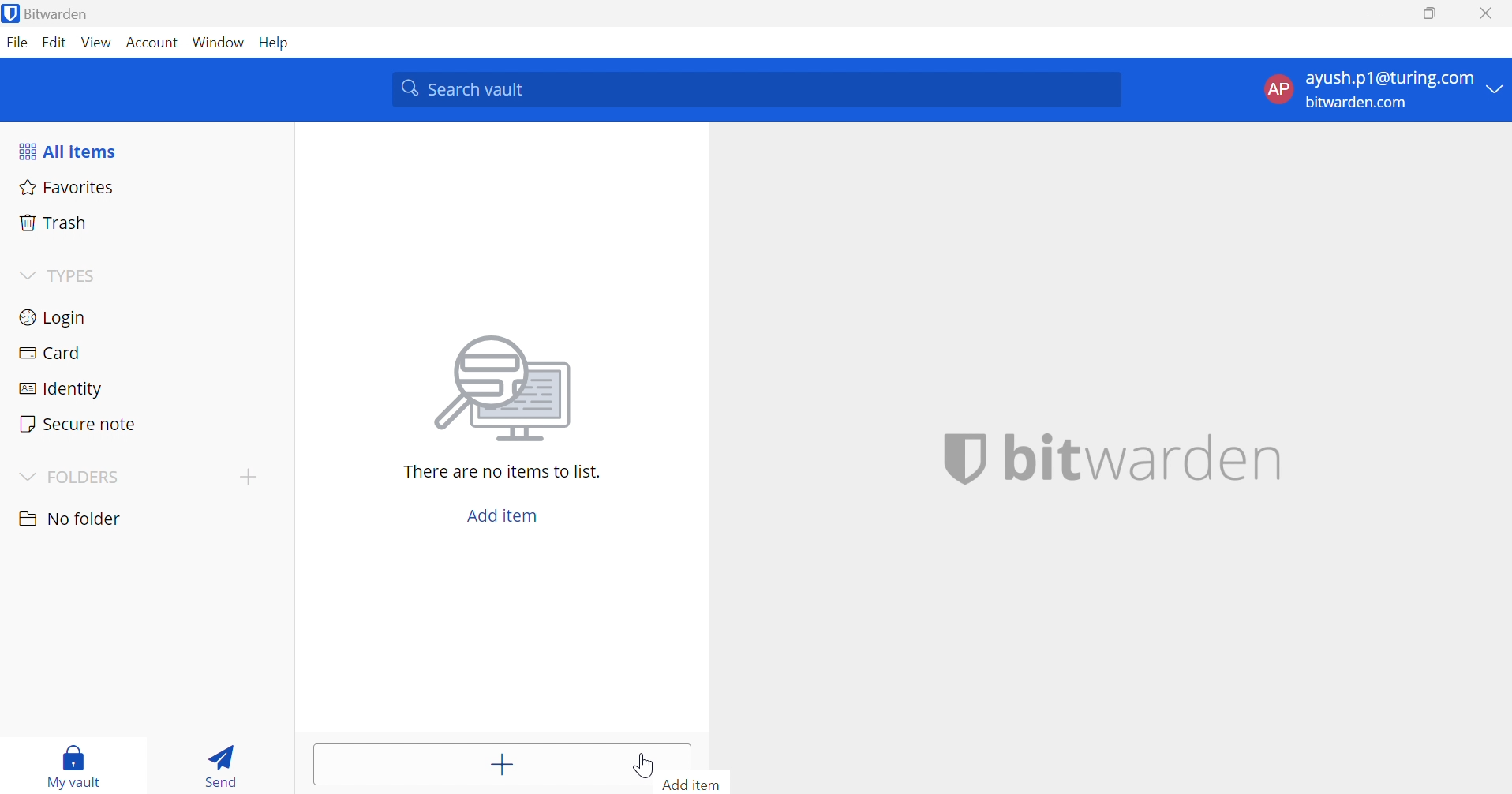  What do you see at coordinates (51, 320) in the screenshot?
I see `Login` at bounding box center [51, 320].